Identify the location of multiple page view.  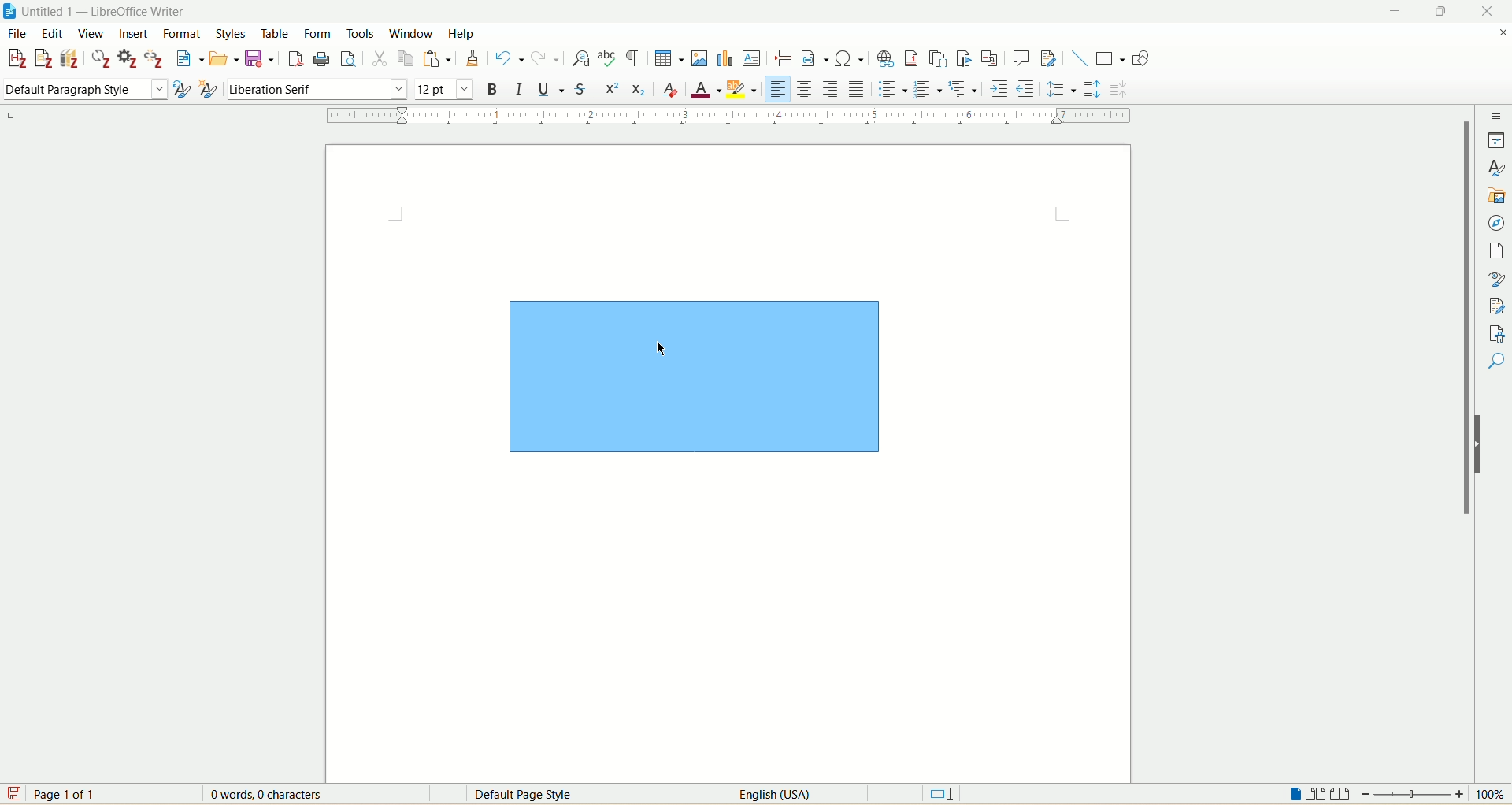
(1317, 796).